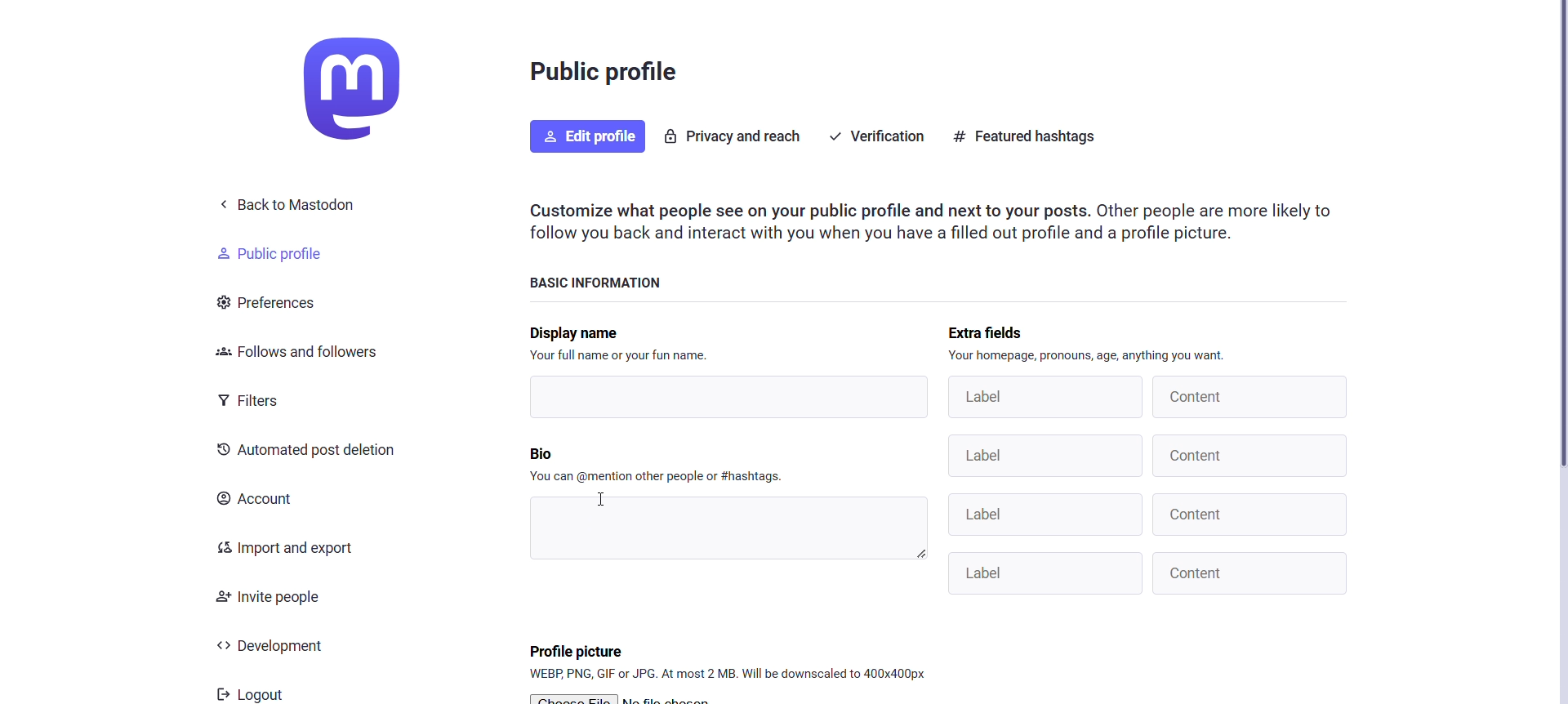  I want to click on cursor, so click(600, 501).